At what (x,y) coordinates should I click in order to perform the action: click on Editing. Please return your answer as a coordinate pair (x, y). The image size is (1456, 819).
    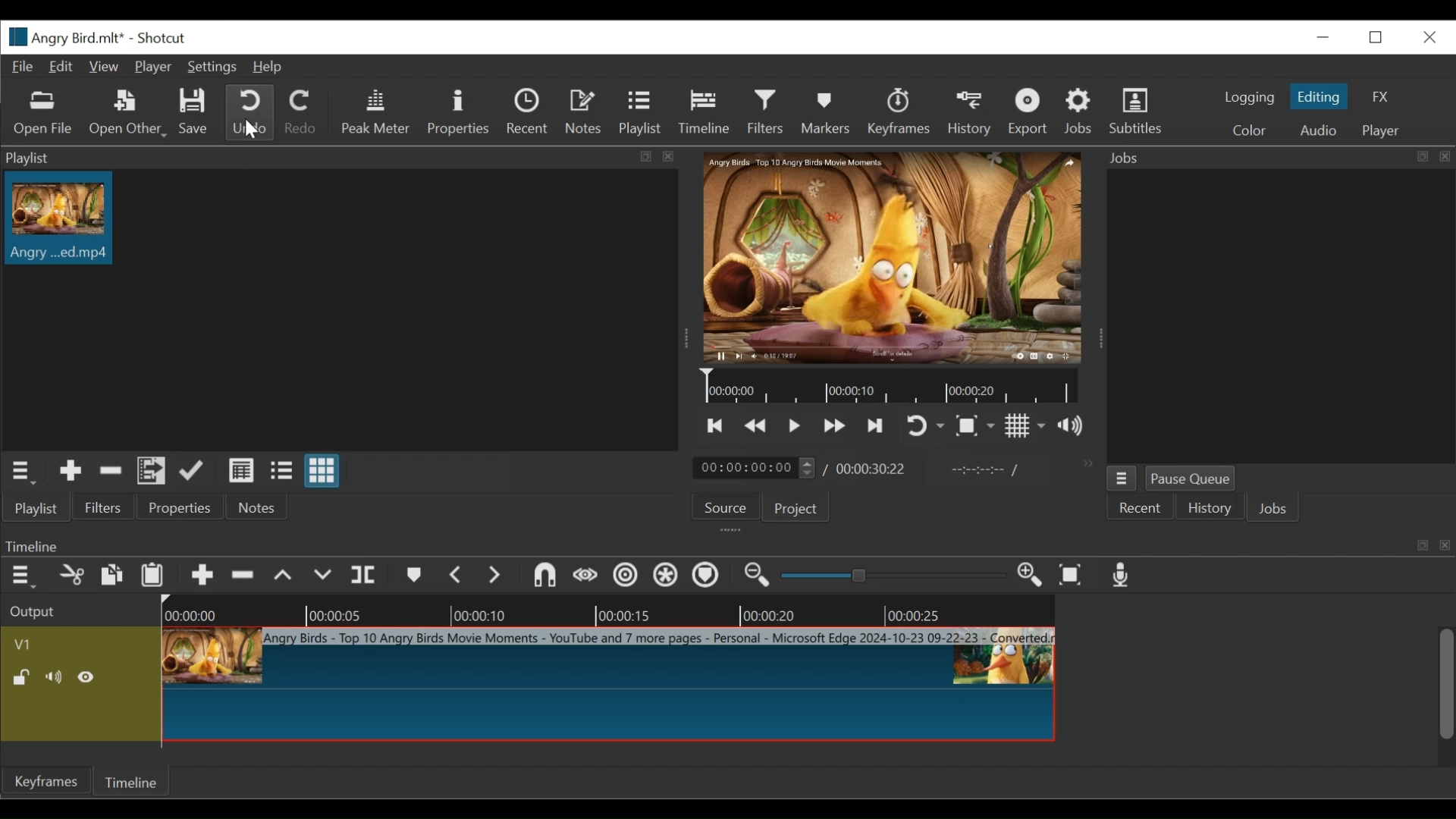
    Looking at the image, I should click on (1320, 97).